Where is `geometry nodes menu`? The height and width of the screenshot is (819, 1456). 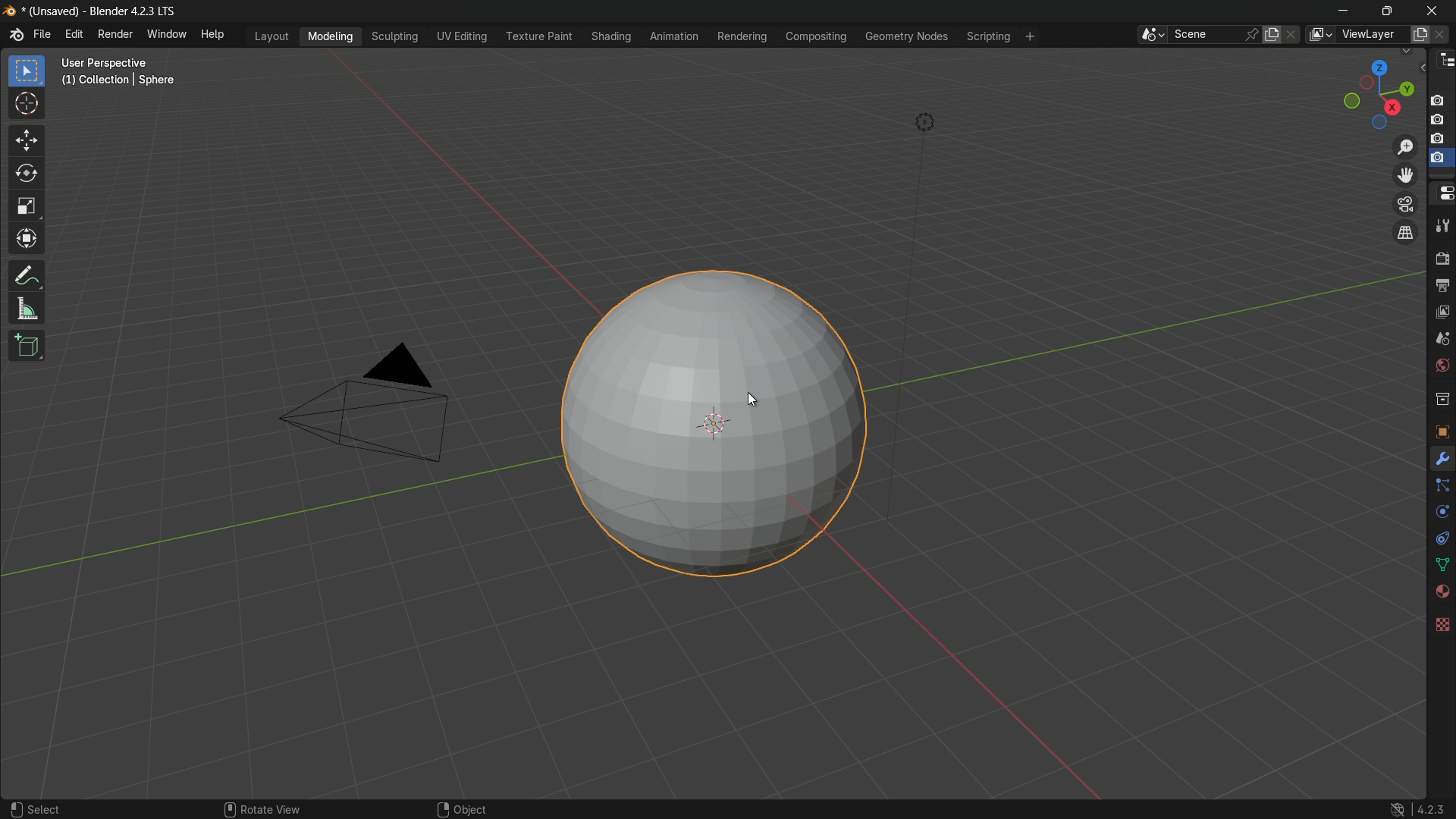
geometry nodes menu is located at coordinates (908, 38).